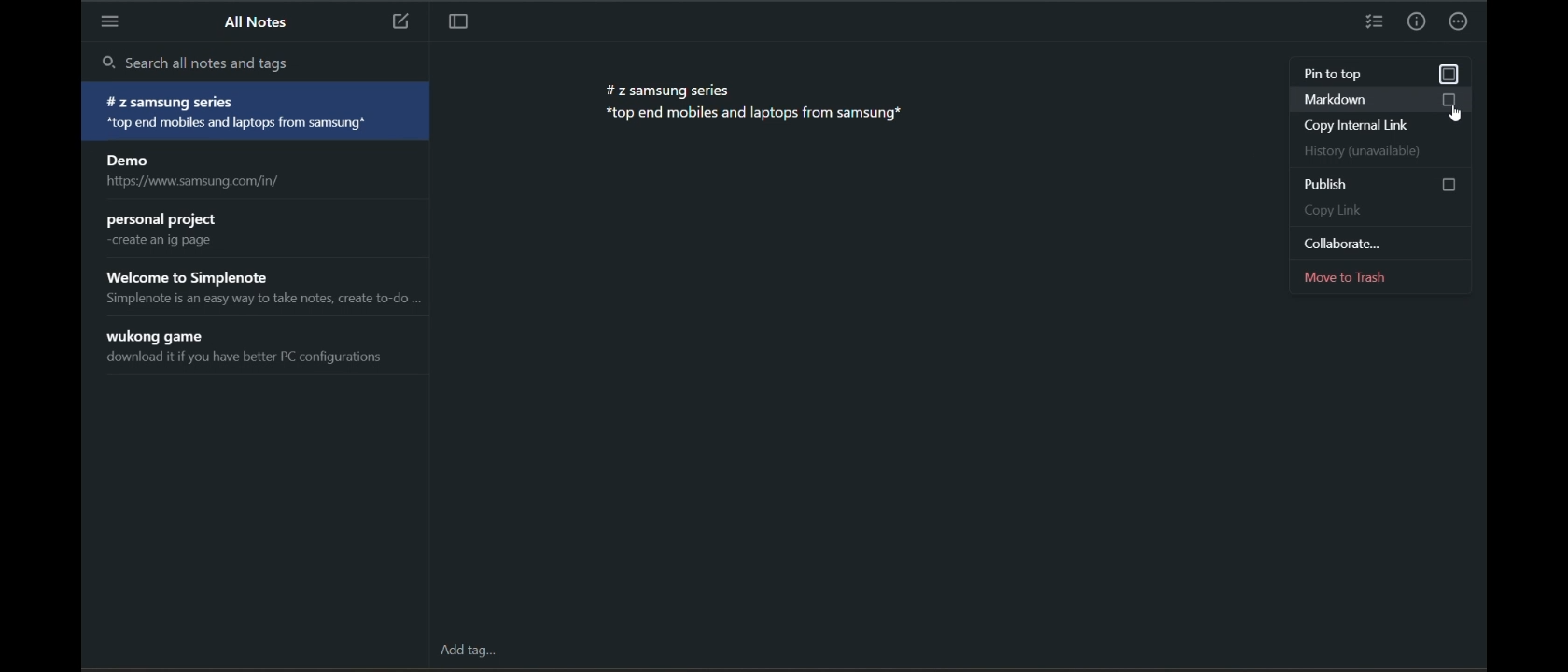 The height and width of the screenshot is (672, 1568). Describe the element at coordinates (1416, 21) in the screenshot. I see `info` at that location.